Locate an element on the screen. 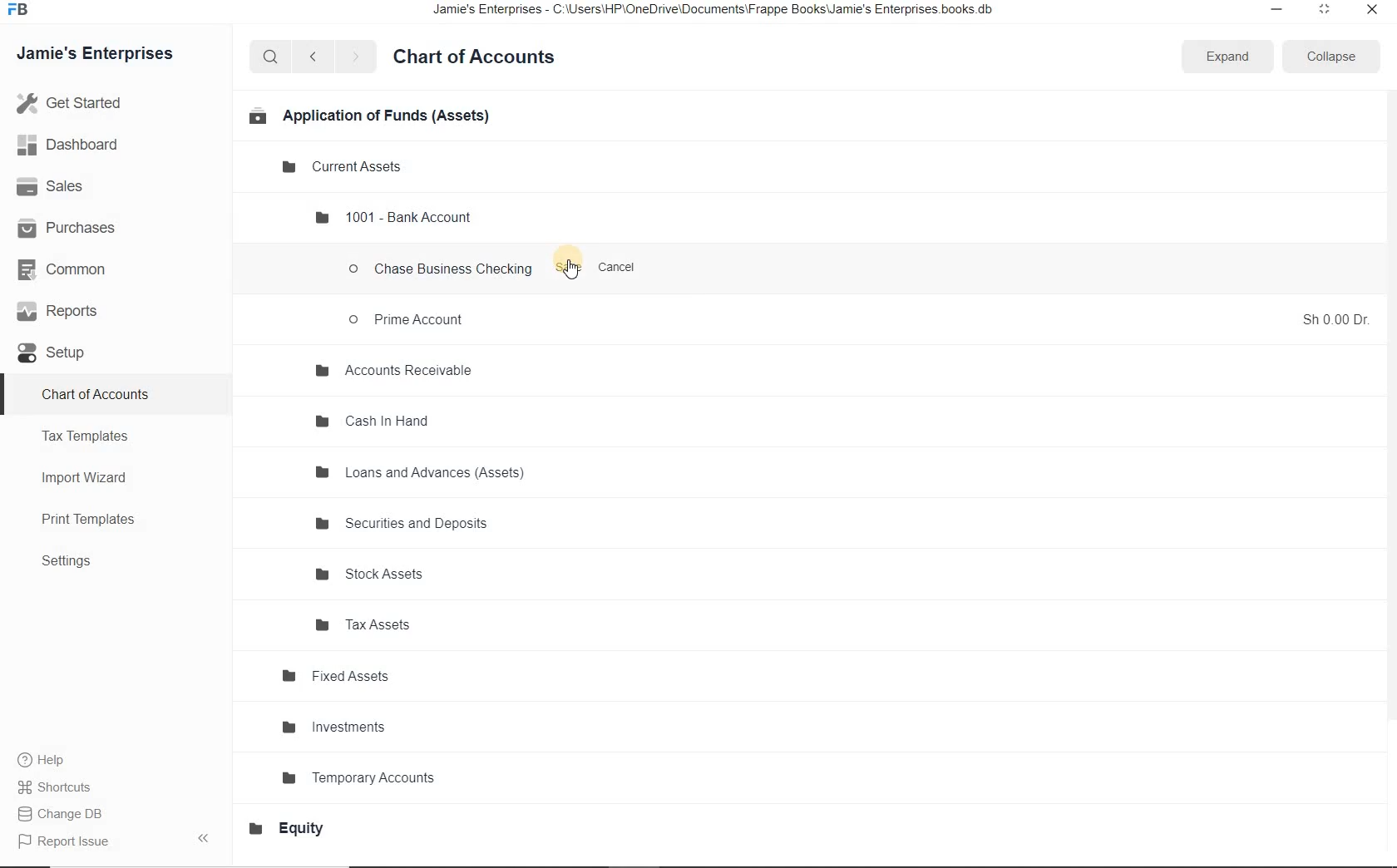 This screenshot has width=1397, height=868. Tax Assets is located at coordinates (374, 624).